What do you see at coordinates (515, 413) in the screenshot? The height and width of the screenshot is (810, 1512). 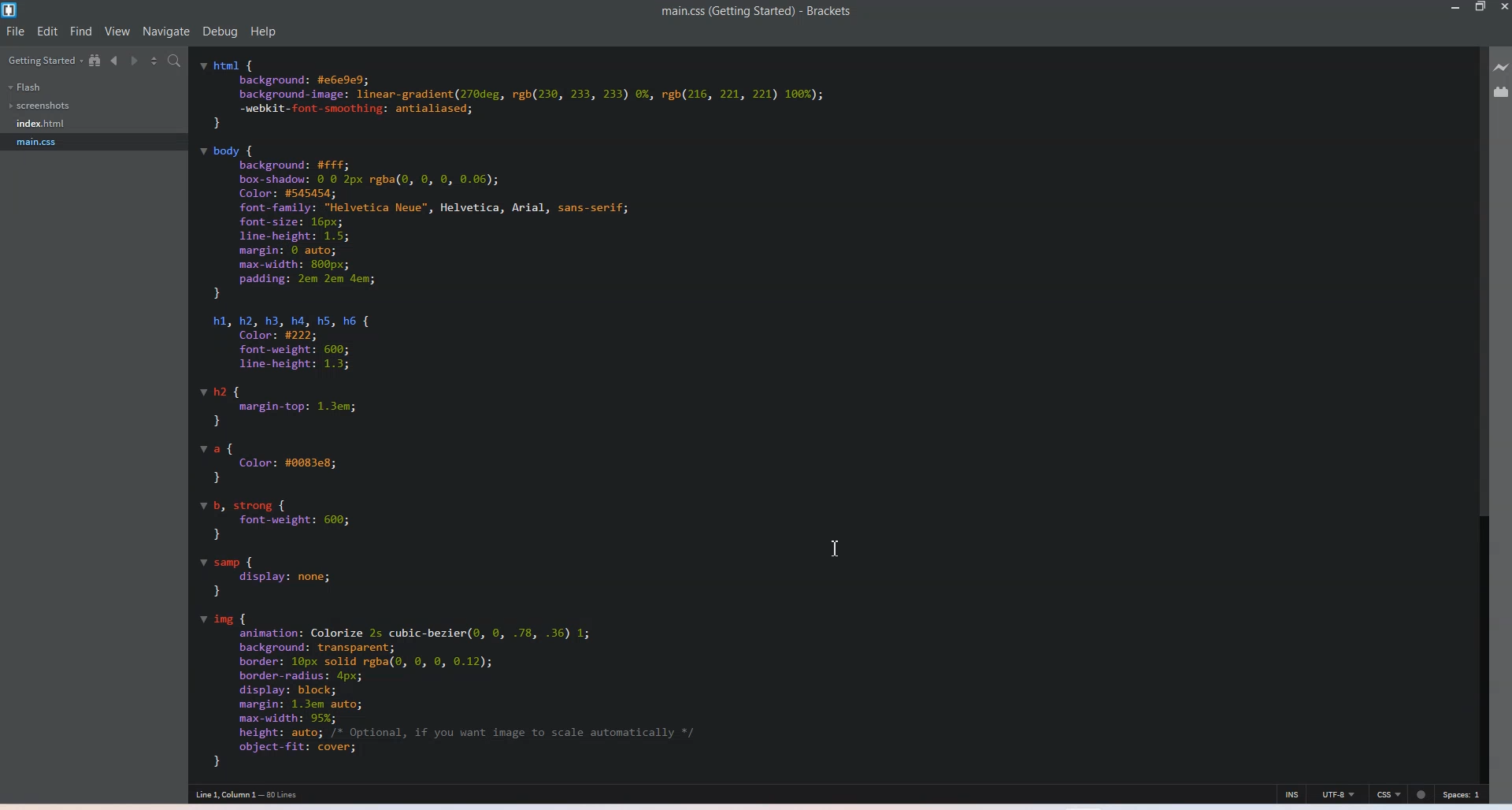 I see `code` at bounding box center [515, 413].